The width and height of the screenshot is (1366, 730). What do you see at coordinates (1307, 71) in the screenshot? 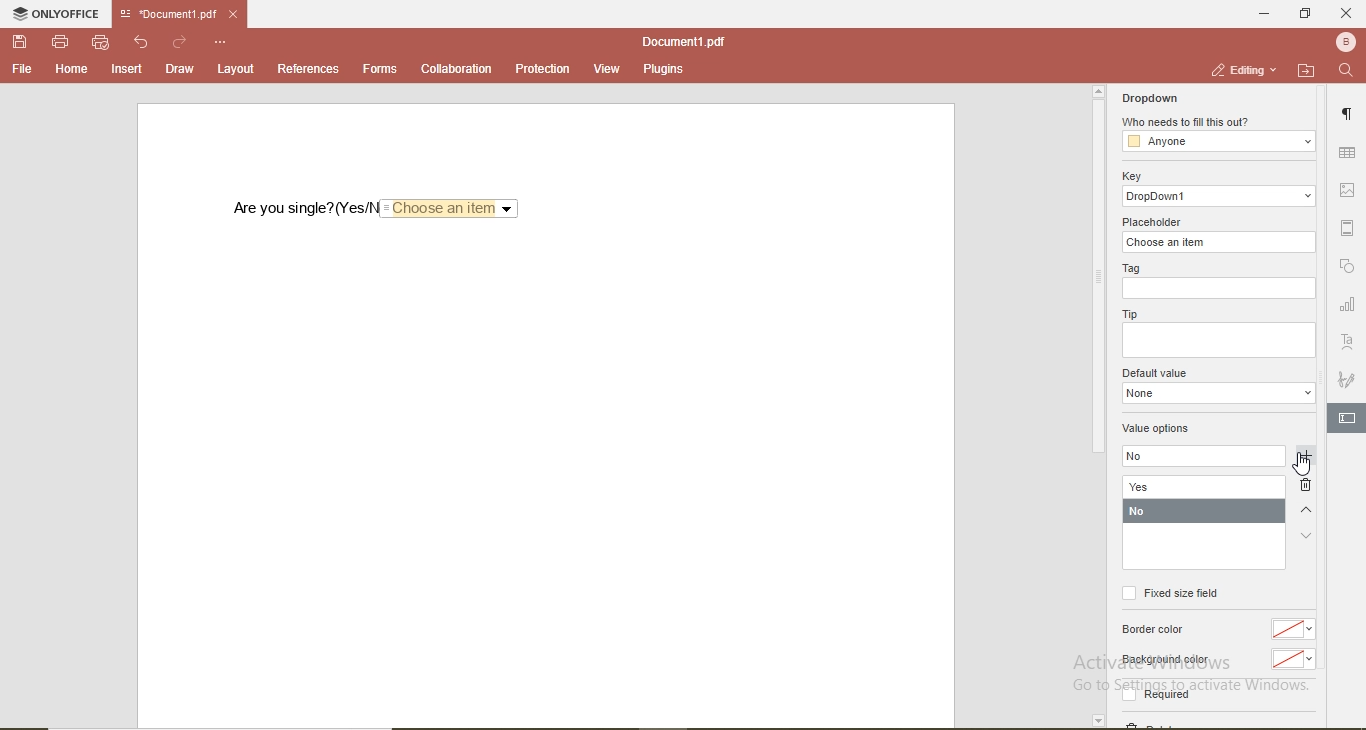
I see `open file location` at bounding box center [1307, 71].